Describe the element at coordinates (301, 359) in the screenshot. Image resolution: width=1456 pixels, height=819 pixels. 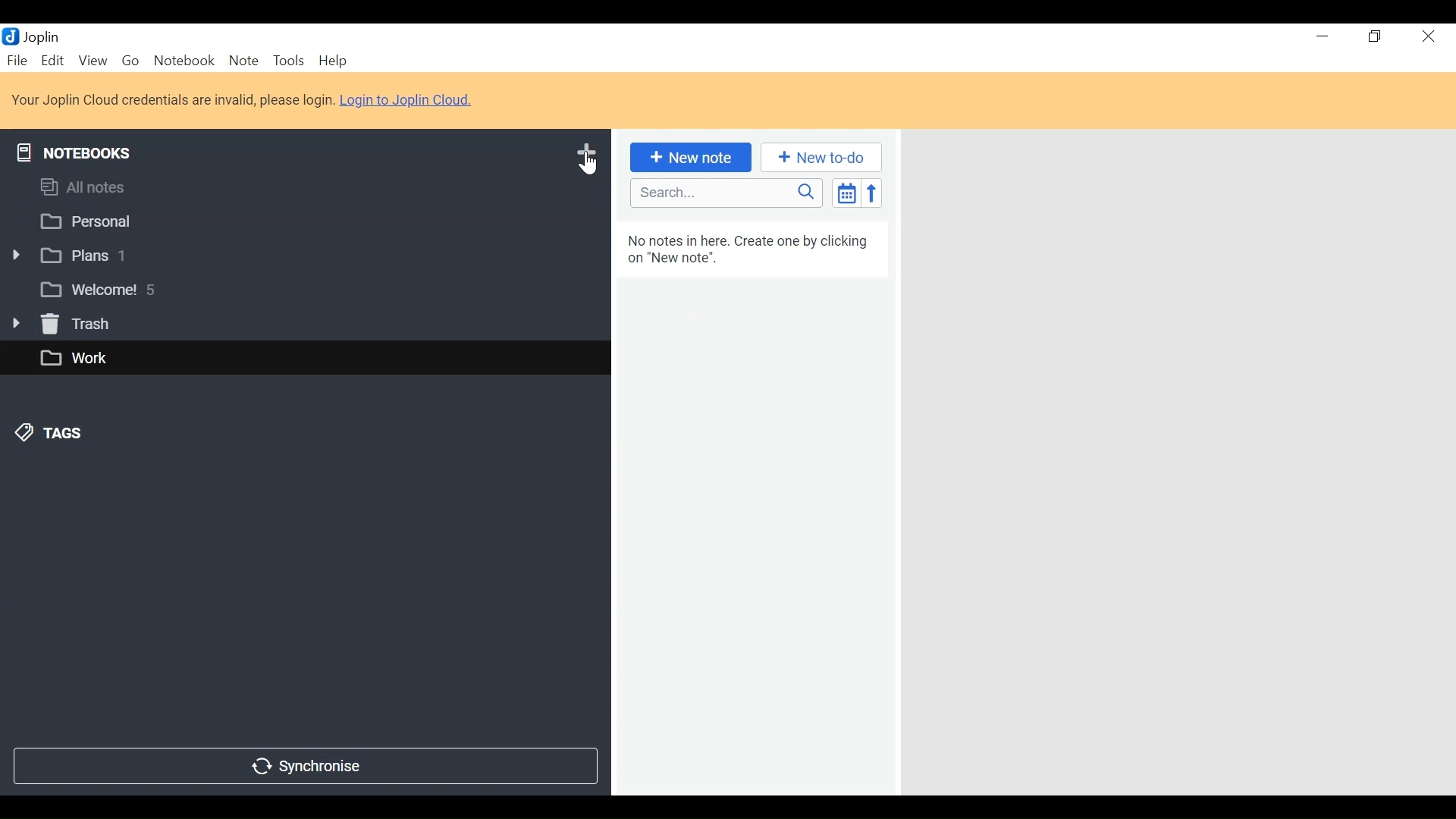
I see `work ` at that location.